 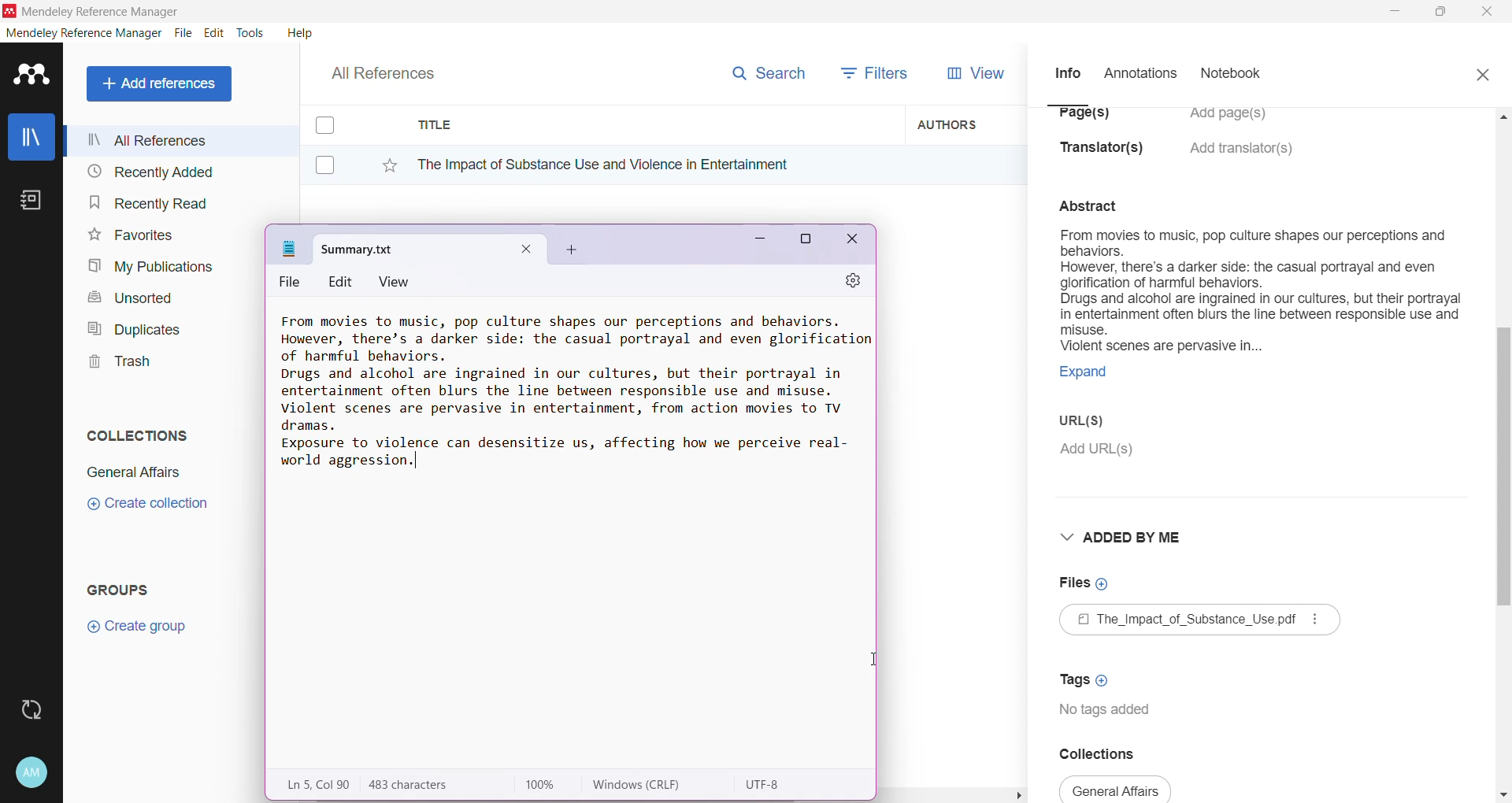 I want to click on Recently Added, so click(x=148, y=172).